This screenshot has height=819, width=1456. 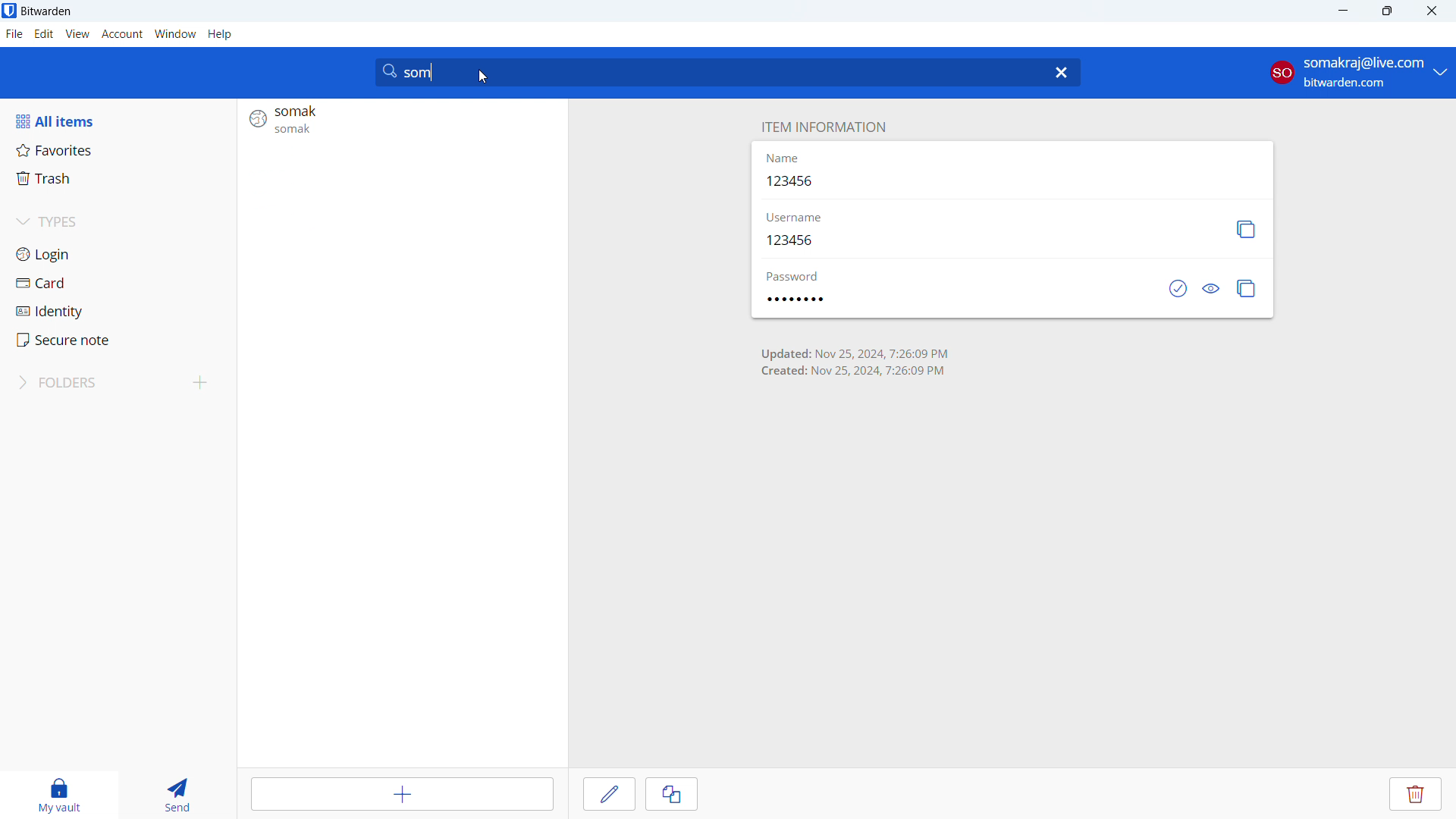 I want to click on account, so click(x=124, y=35).